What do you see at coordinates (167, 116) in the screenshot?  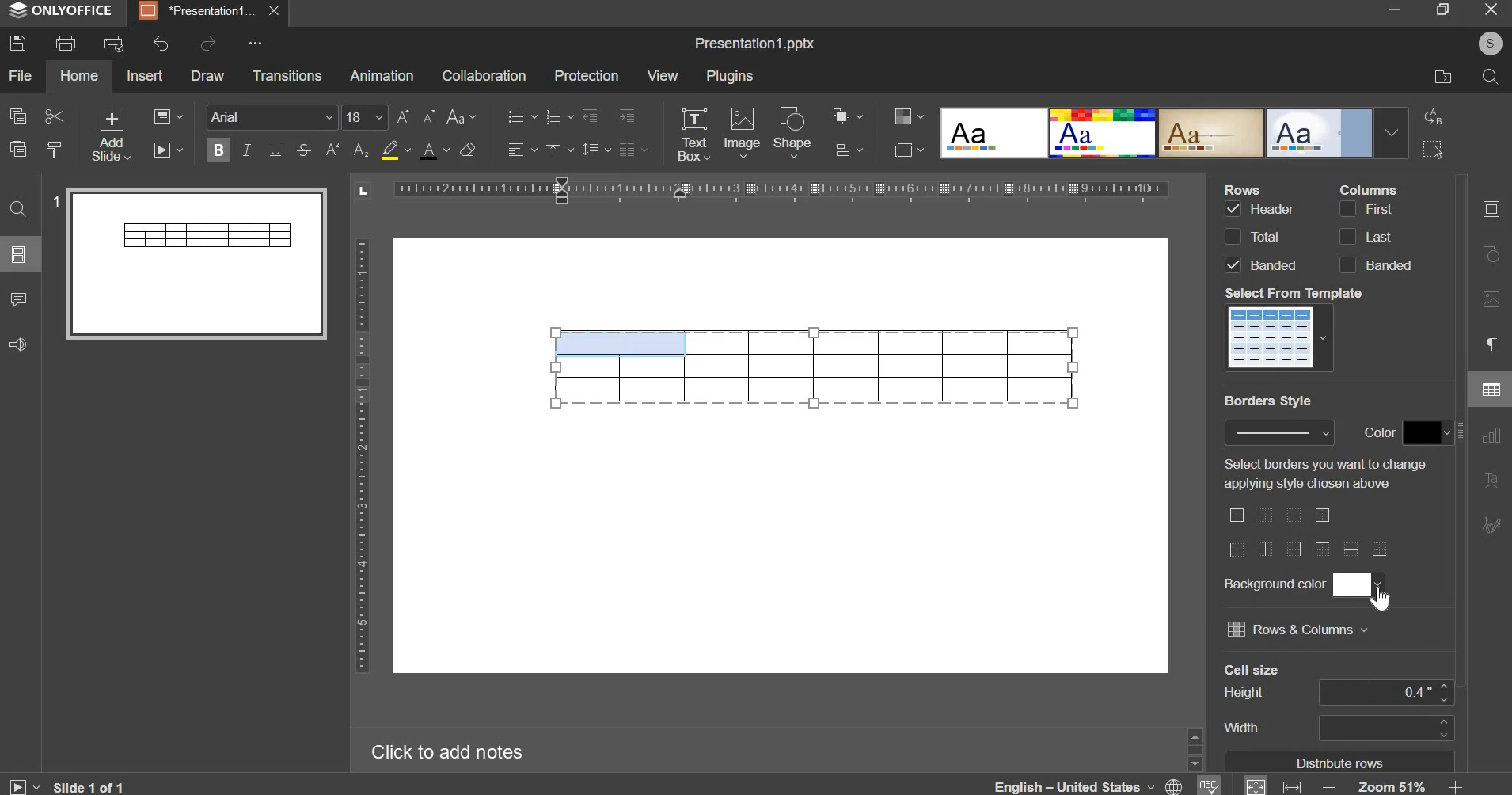 I see `change layout` at bounding box center [167, 116].